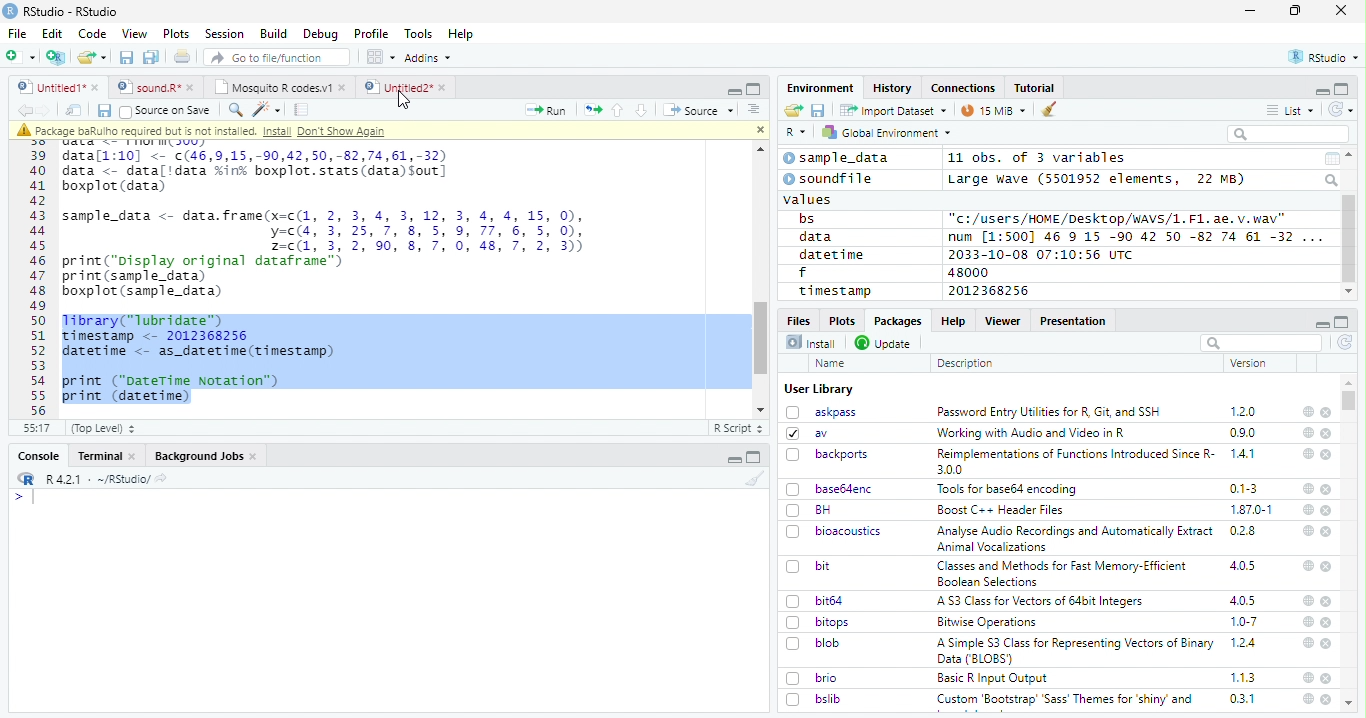 The image size is (1366, 718). What do you see at coordinates (885, 343) in the screenshot?
I see `Update` at bounding box center [885, 343].